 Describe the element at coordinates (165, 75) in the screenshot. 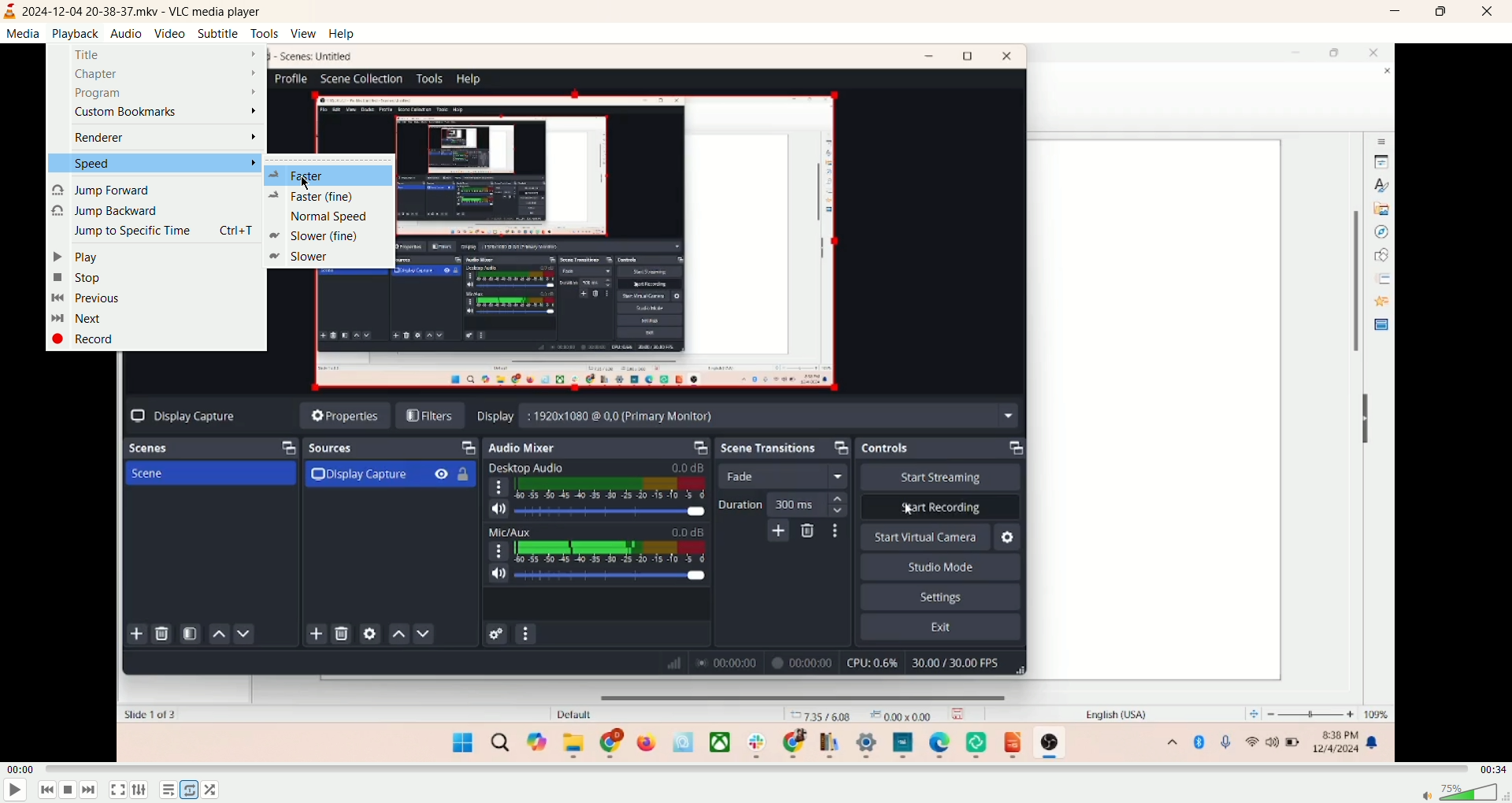

I see `chapter` at that location.